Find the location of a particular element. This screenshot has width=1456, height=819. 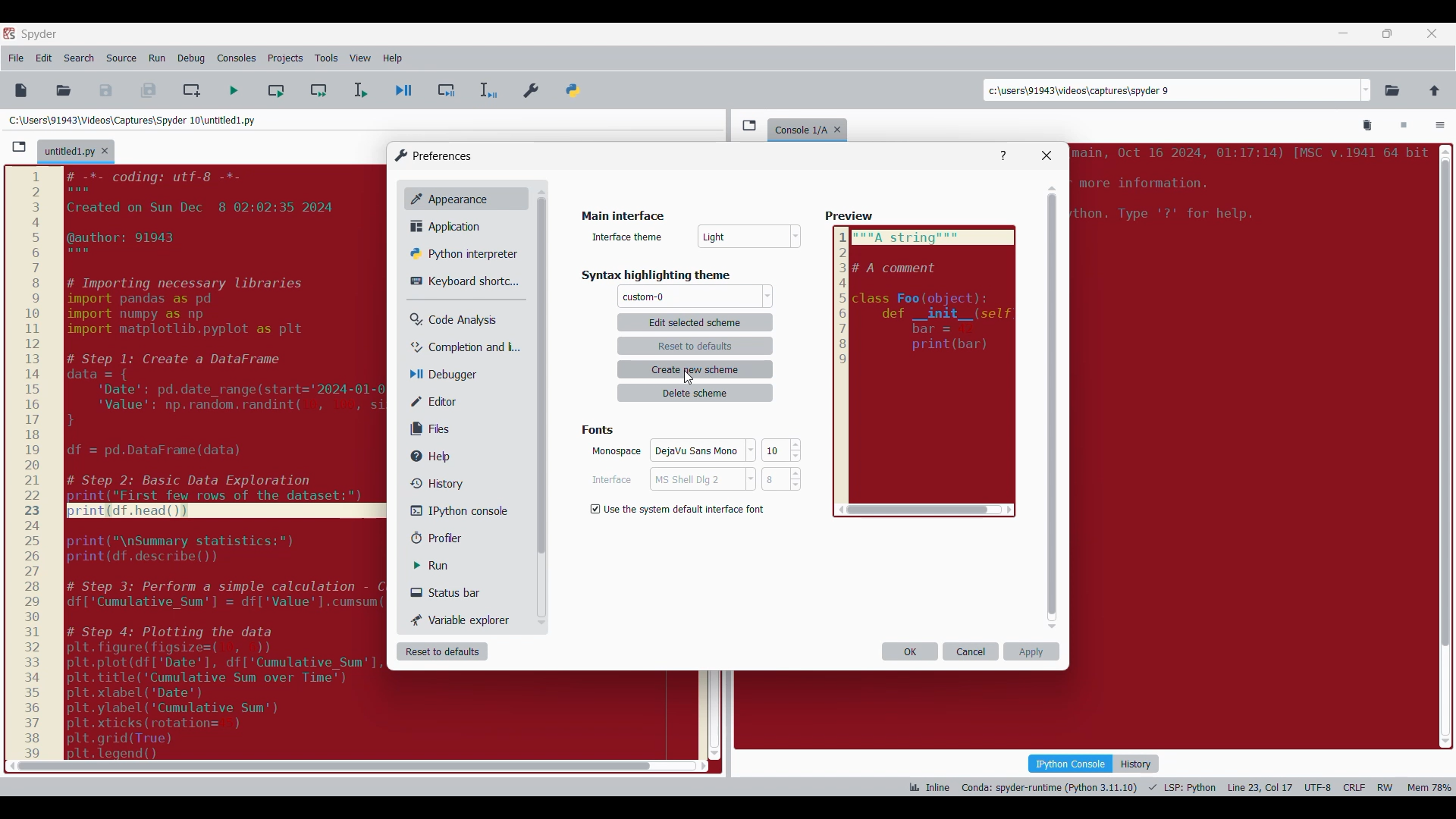

Browse tabs is located at coordinates (19, 147).